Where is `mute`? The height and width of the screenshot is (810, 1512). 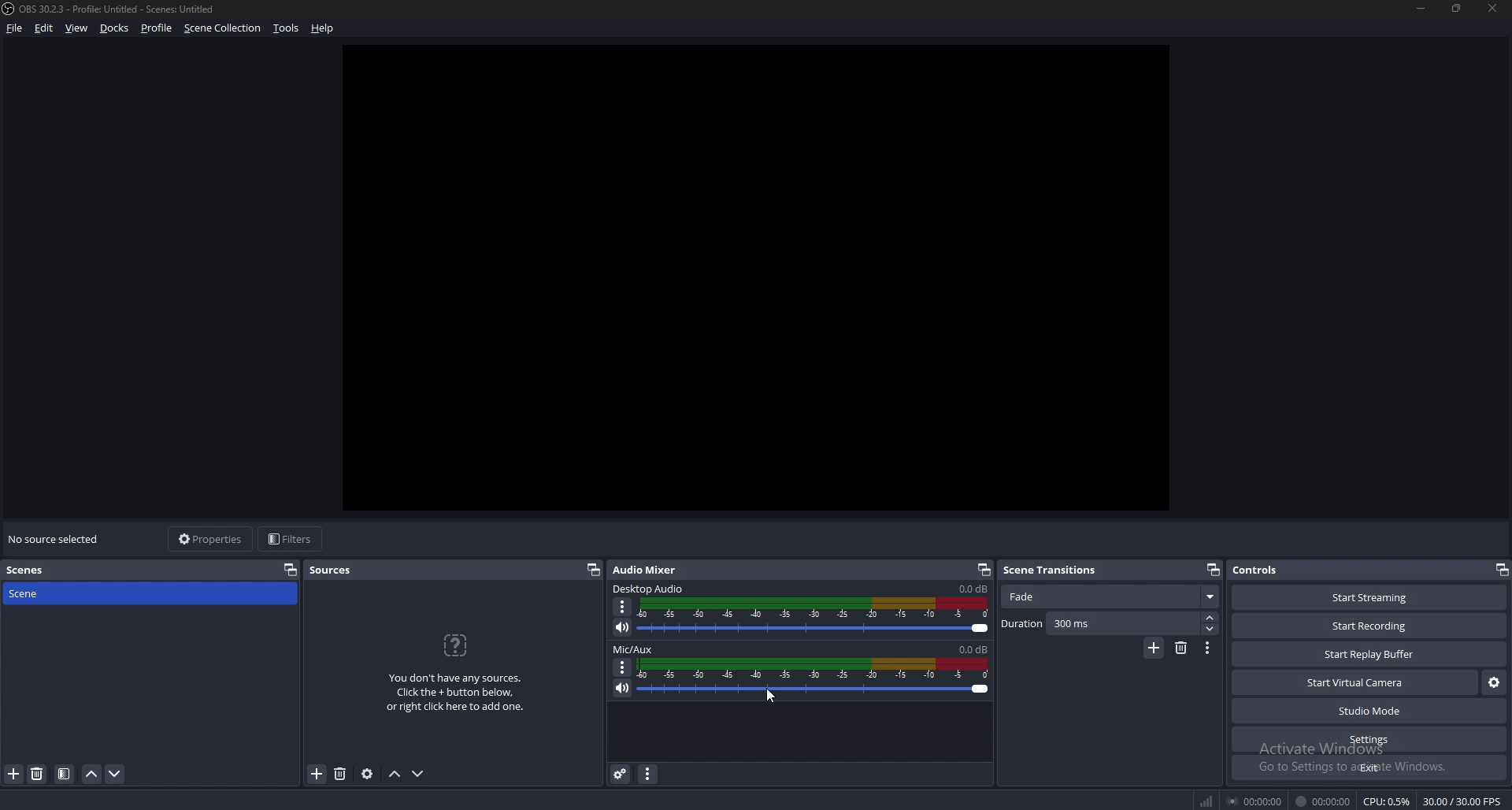
mute is located at coordinates (624, 626).